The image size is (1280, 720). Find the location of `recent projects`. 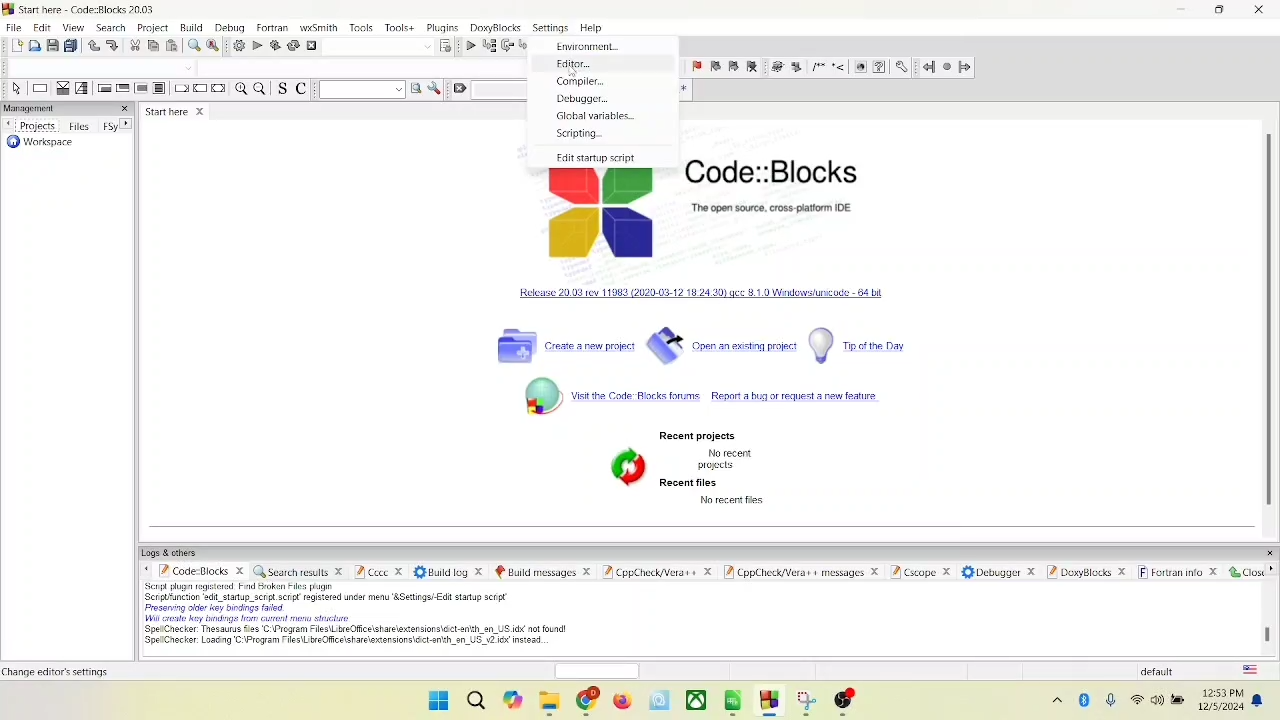

recent projects is located at coordinates (701, 435).